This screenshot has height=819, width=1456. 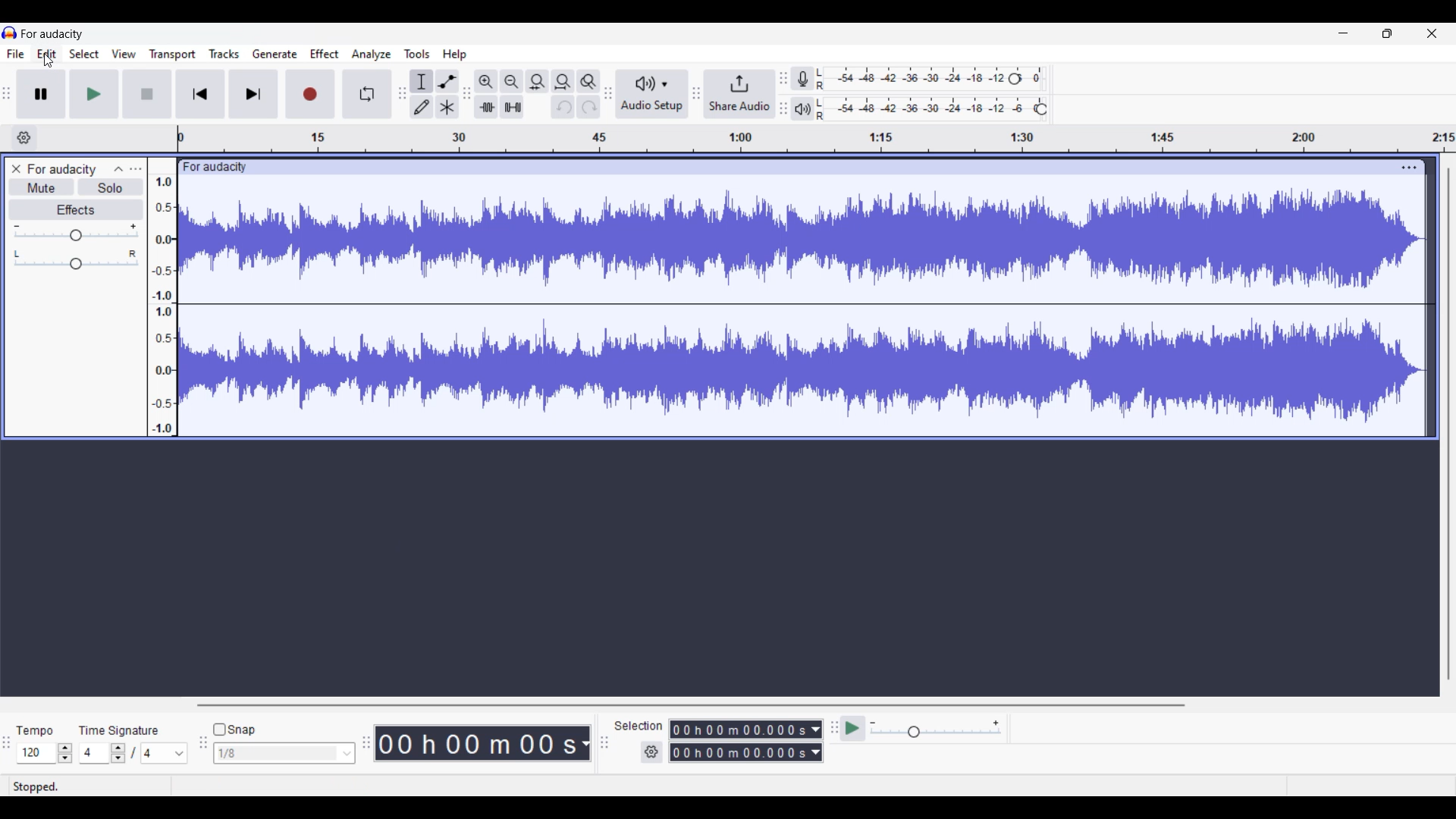 I want to click on Zoom in, so click(x=487, y=82).